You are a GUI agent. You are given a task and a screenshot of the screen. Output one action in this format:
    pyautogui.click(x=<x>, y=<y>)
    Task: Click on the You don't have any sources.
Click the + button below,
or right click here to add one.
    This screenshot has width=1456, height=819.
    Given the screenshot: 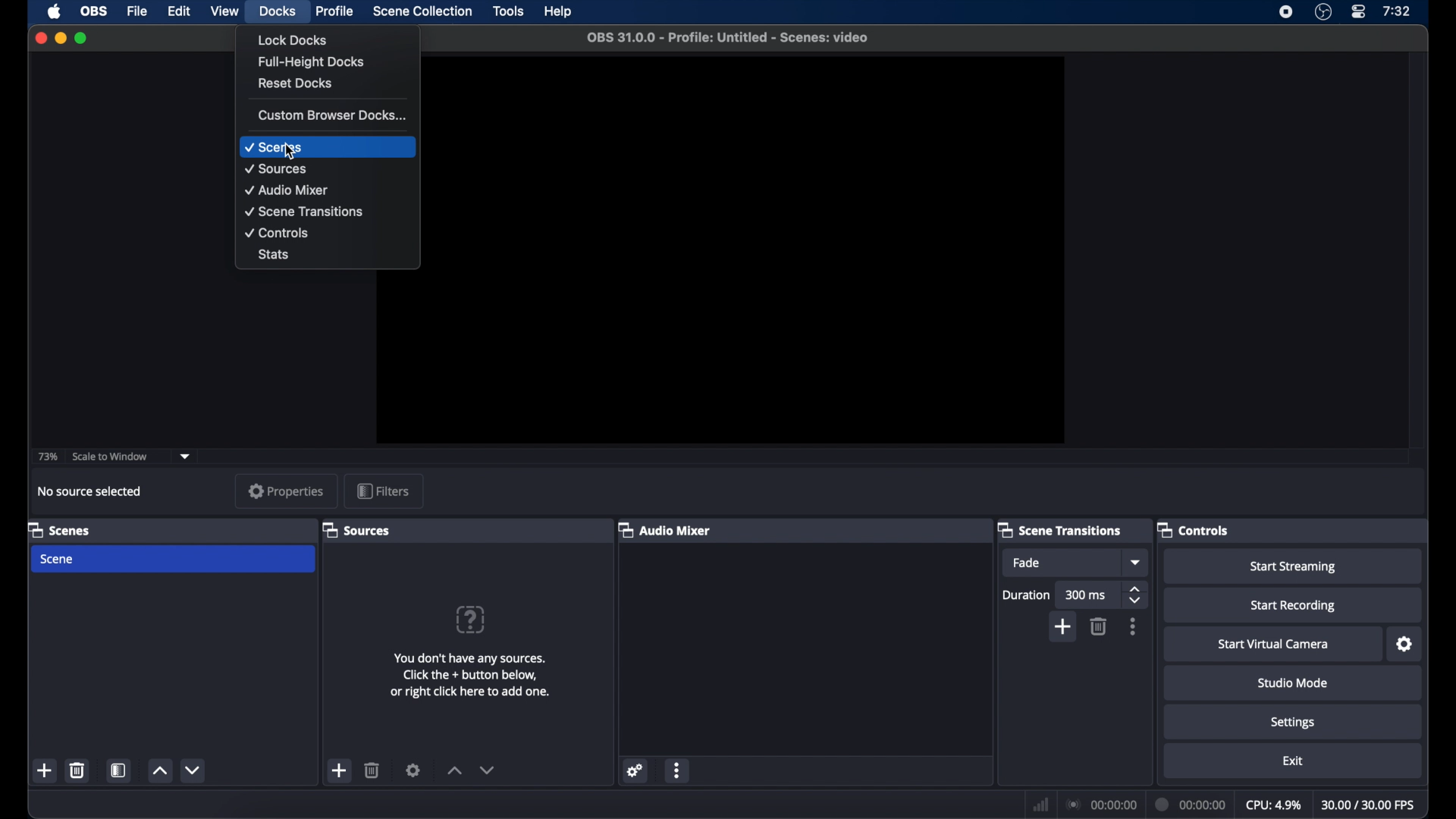 What is the action you would take?
    pyautogui.click(x=473, y=675)
    